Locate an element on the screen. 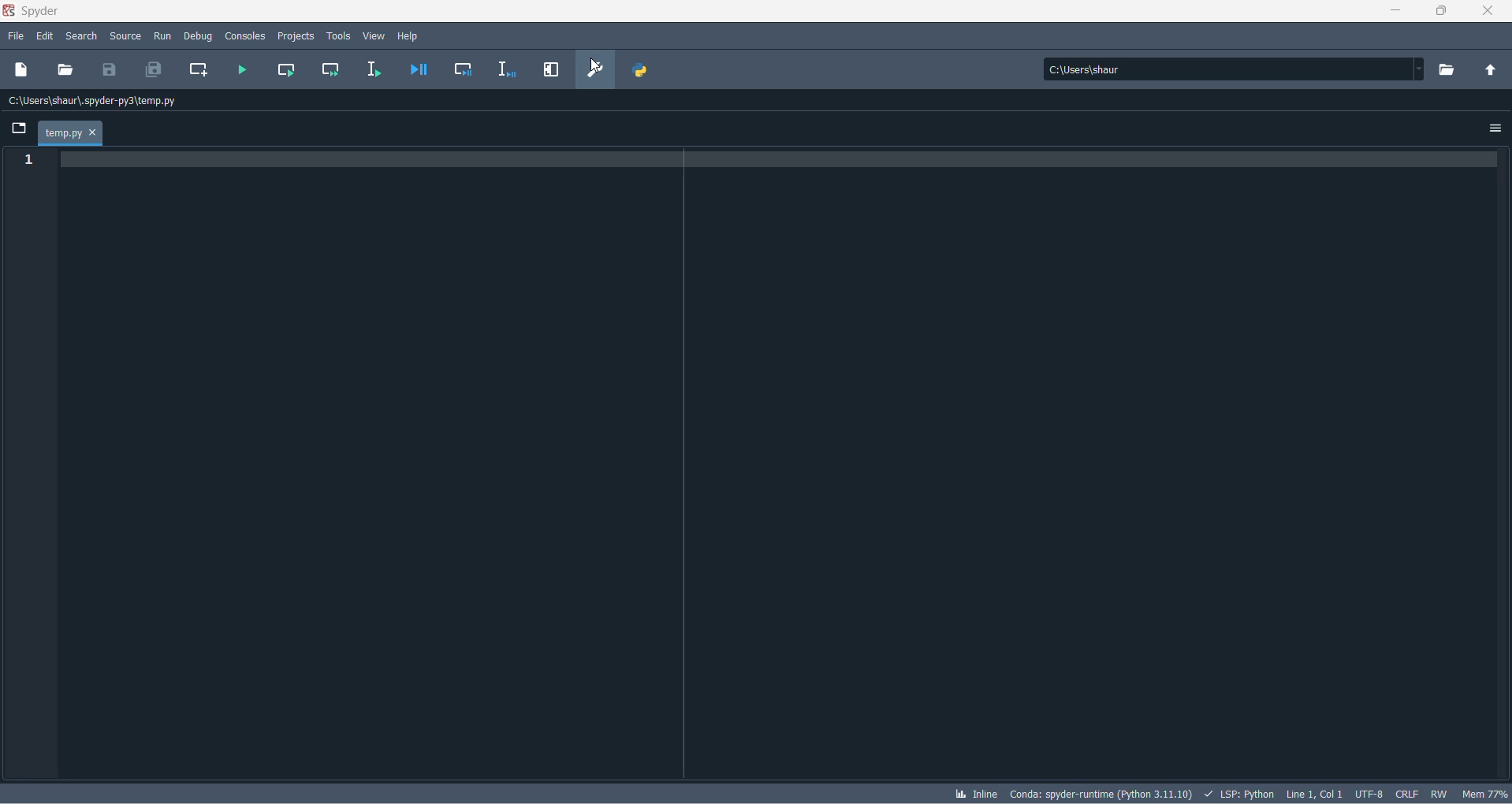 Image resolution: width=1512 pixels, height=804 pixels. projects is located at coordinates (296, 35).